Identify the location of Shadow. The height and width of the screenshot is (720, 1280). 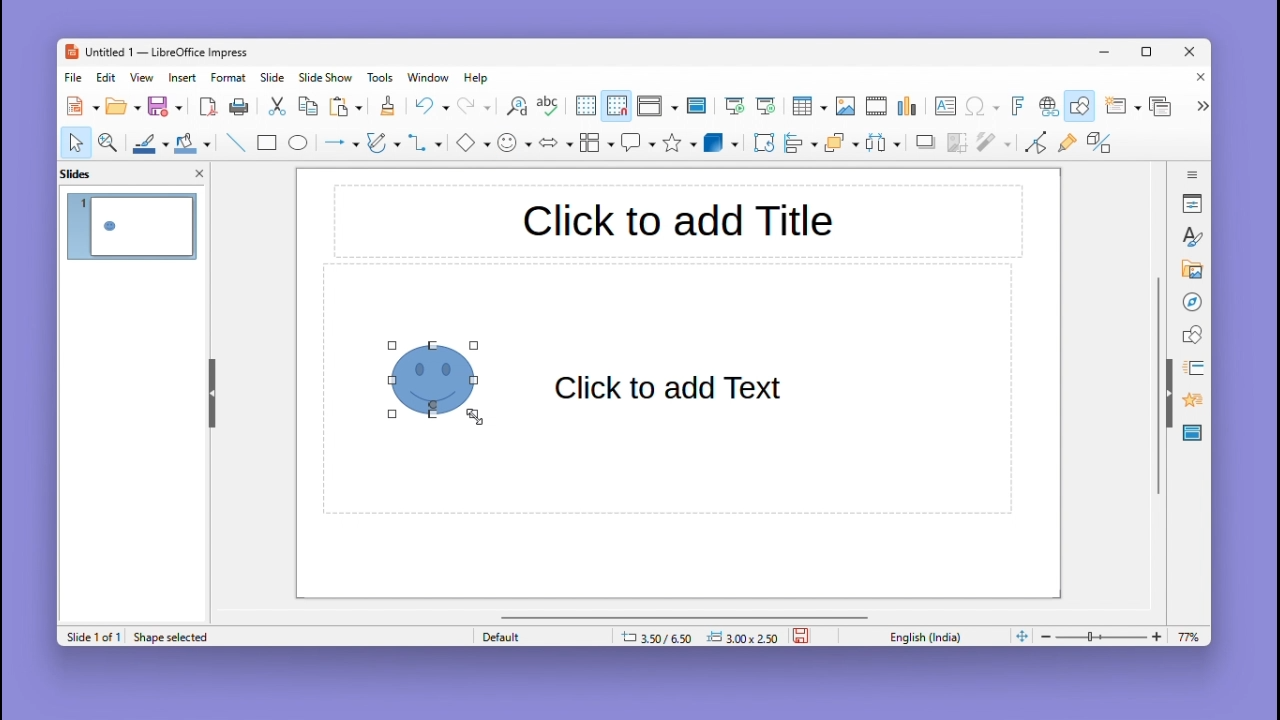
(926, 146).